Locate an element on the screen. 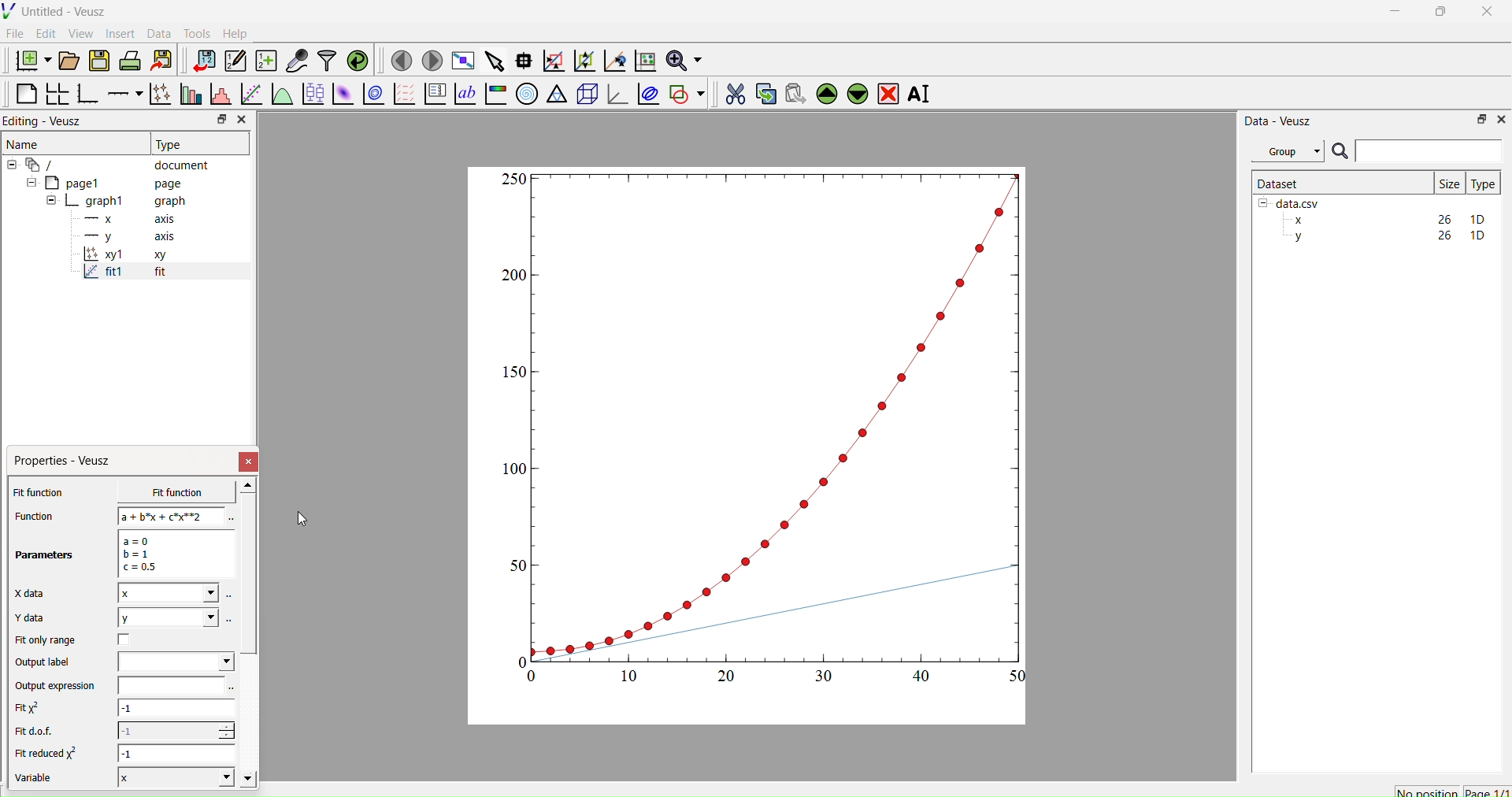 Image resolution: width=1512 pixels, height=797 pixels. graph1 graph is located at coordinates (117, 202).